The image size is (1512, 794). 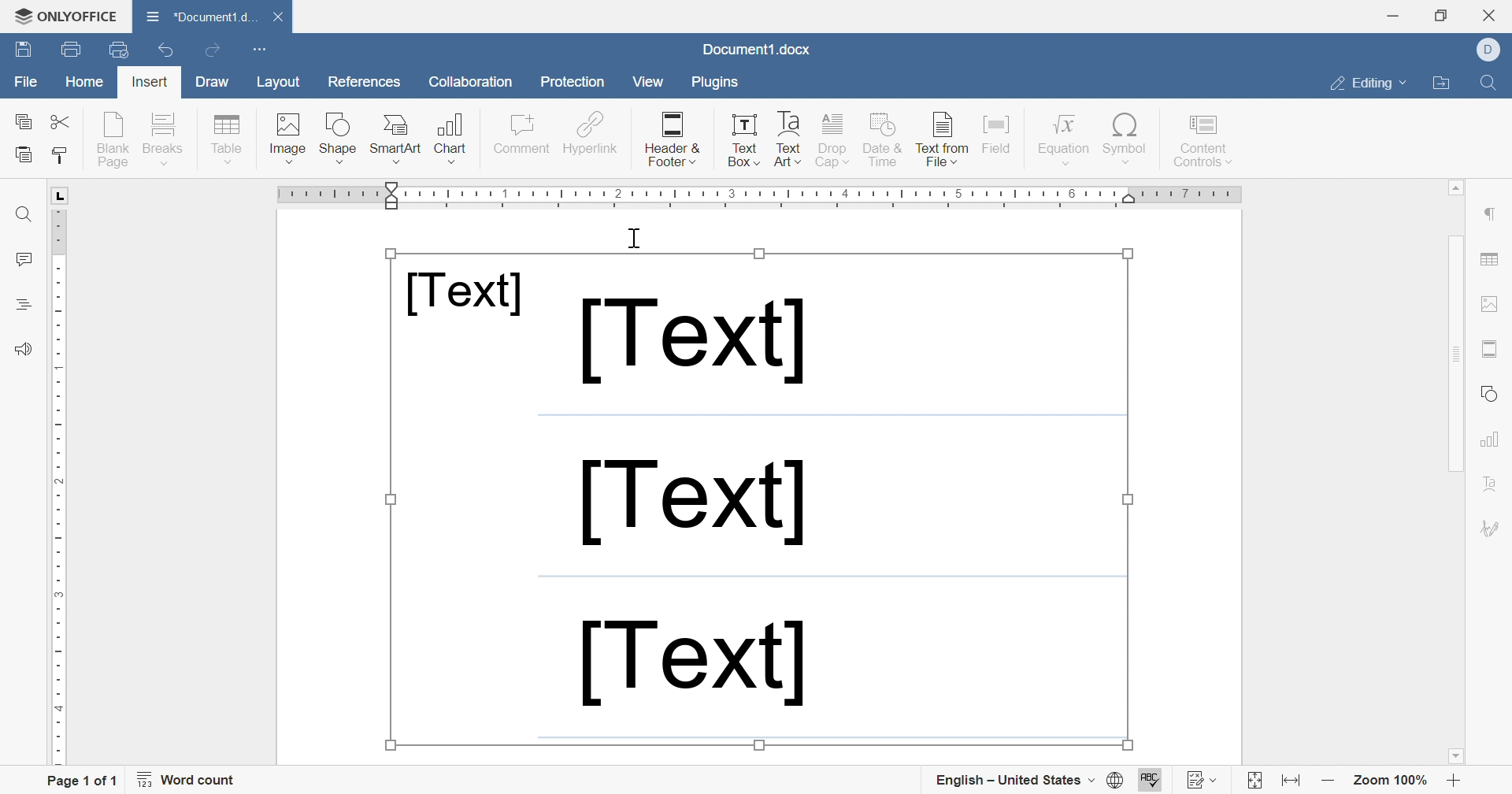 What do you see at coordinates (762, 196) in the screenshot?
I see `Ruler` at bounding box center [762, 196].